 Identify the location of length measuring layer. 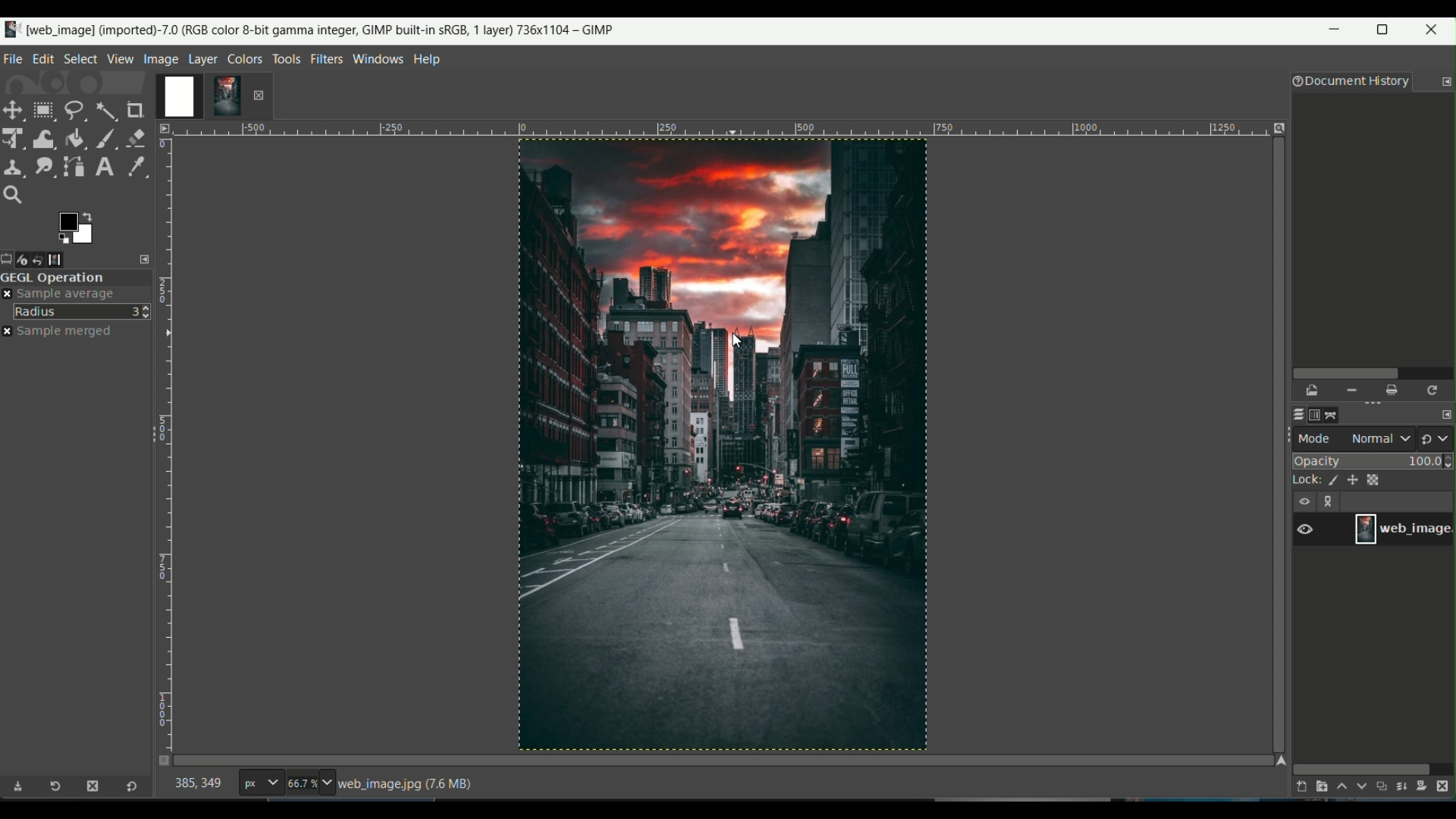
(165, 435).